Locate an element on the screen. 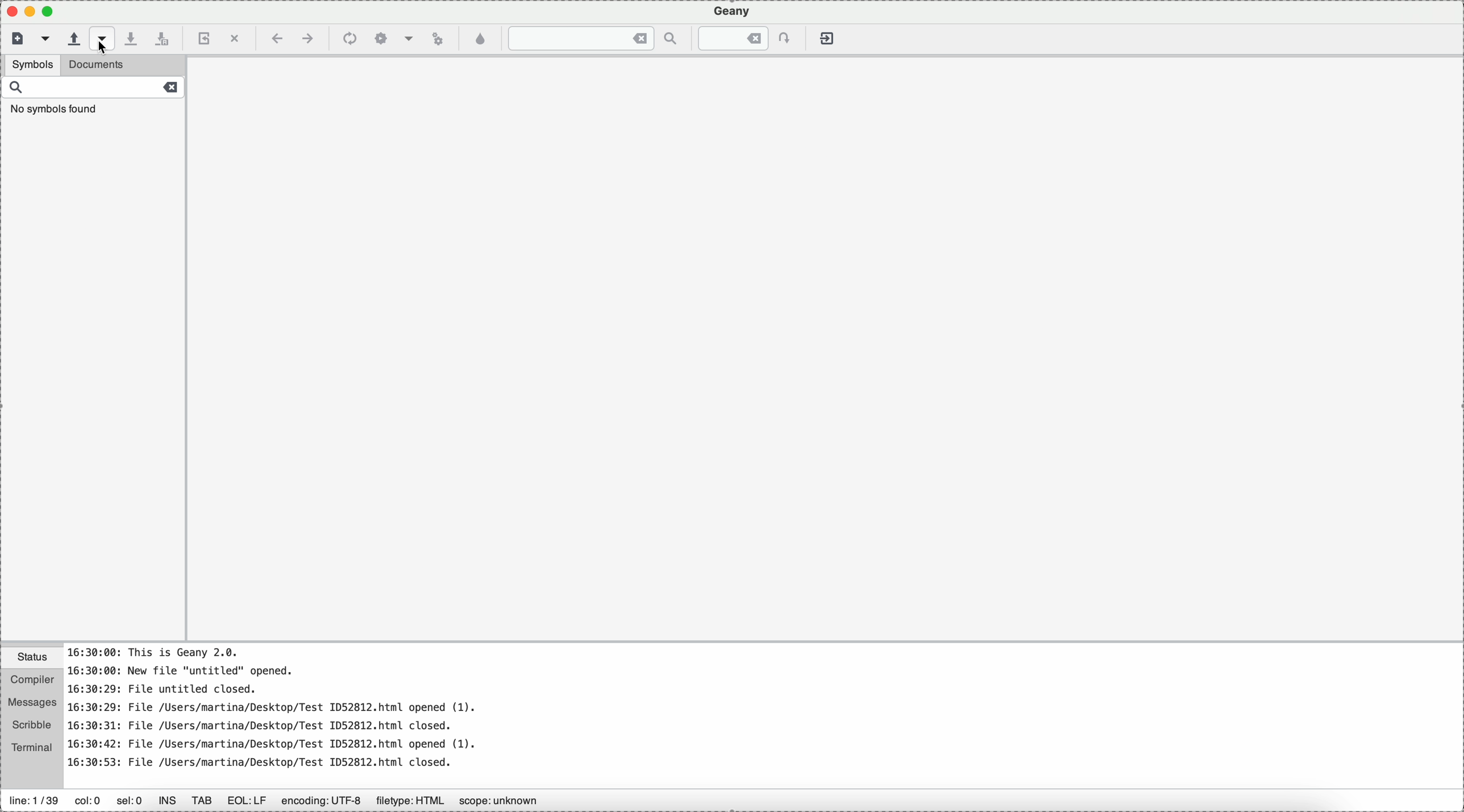 Image resolution: width=1464 pixels, height=812 pixels. navigate back is located at coordinates (275, 39).